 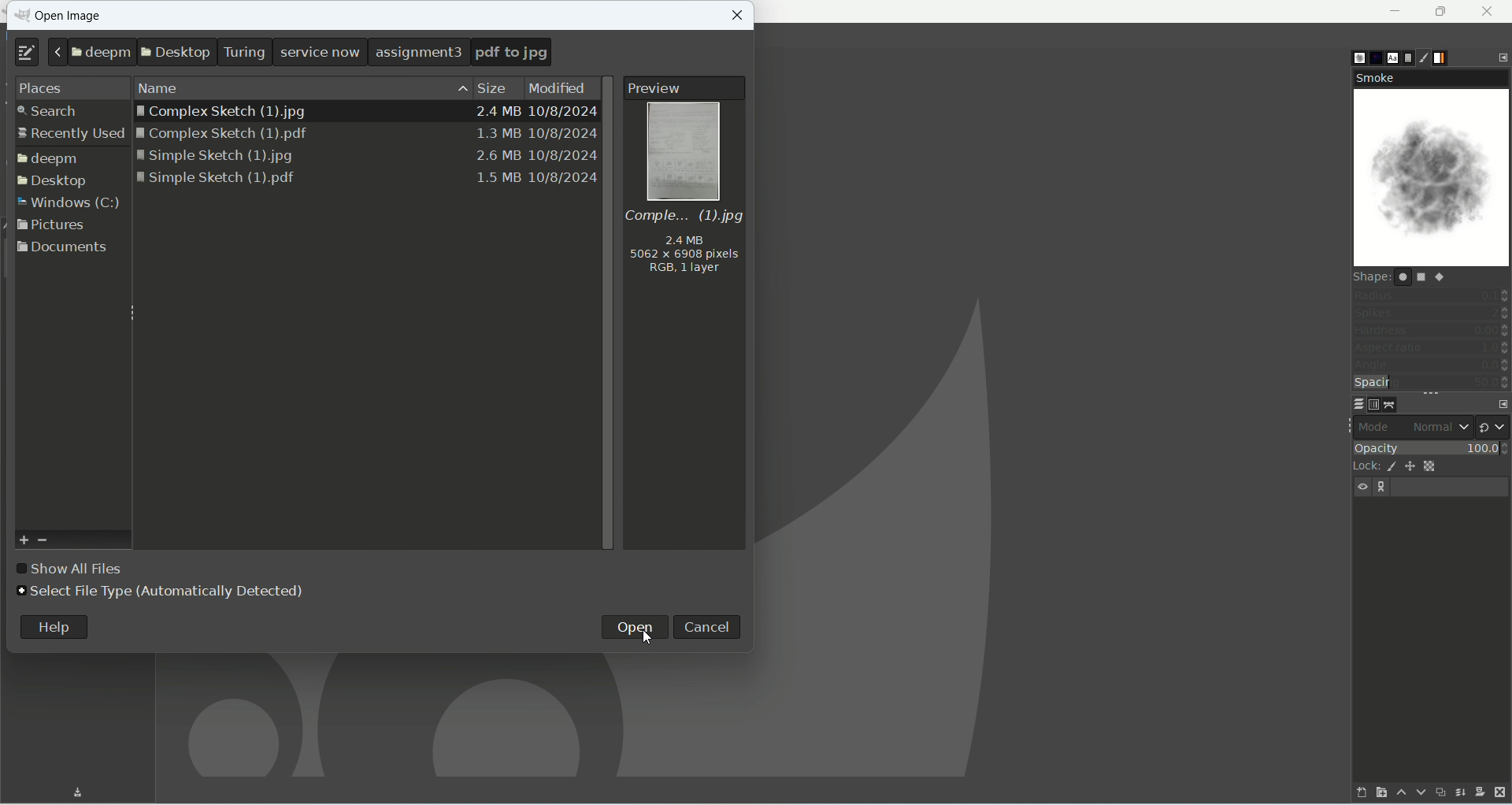 What do you see at coordinates (21, 54) in the screenshot?
I see `type` at bounding box center [21, 54].